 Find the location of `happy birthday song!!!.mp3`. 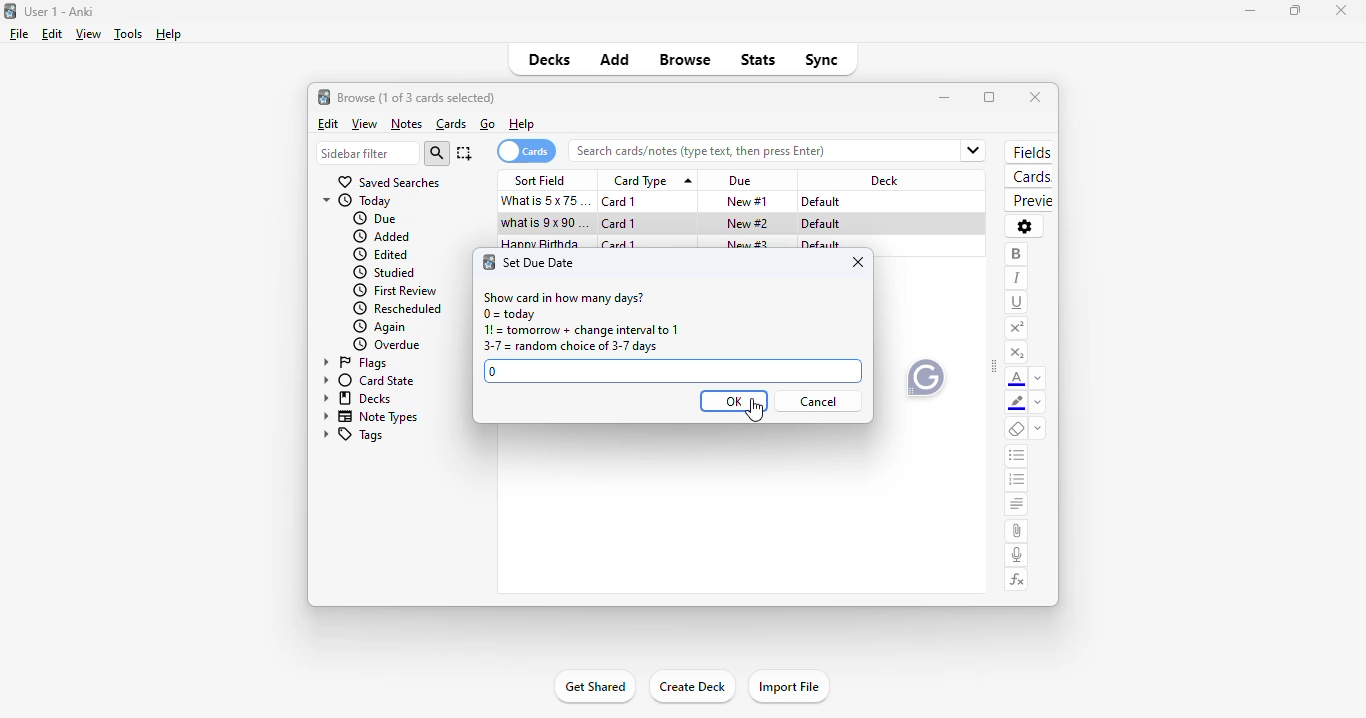

happy birthday song!!!.mp3 is located at coordinates (545, 245).